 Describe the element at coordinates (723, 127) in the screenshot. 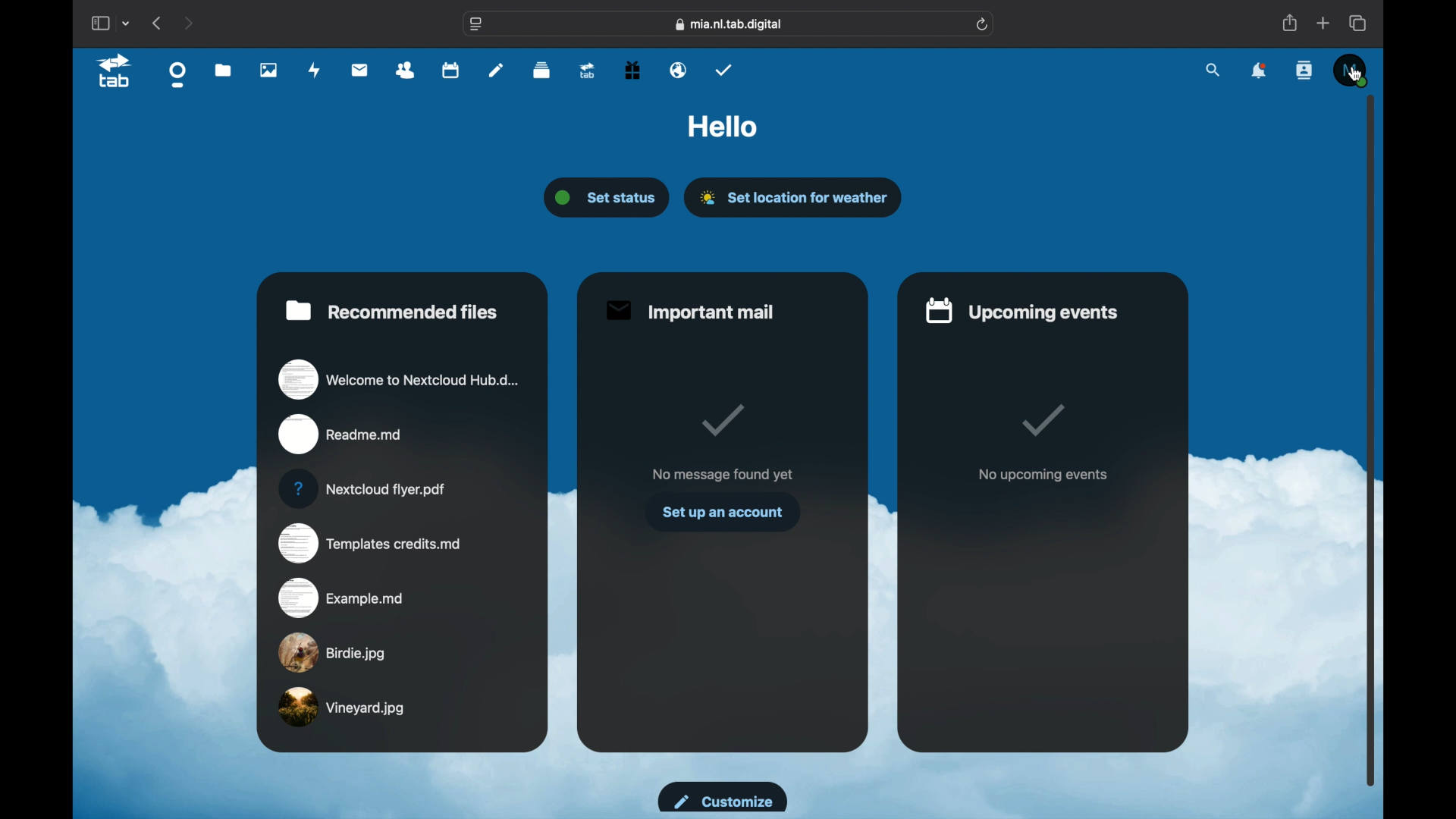

I see `hello` at that location.